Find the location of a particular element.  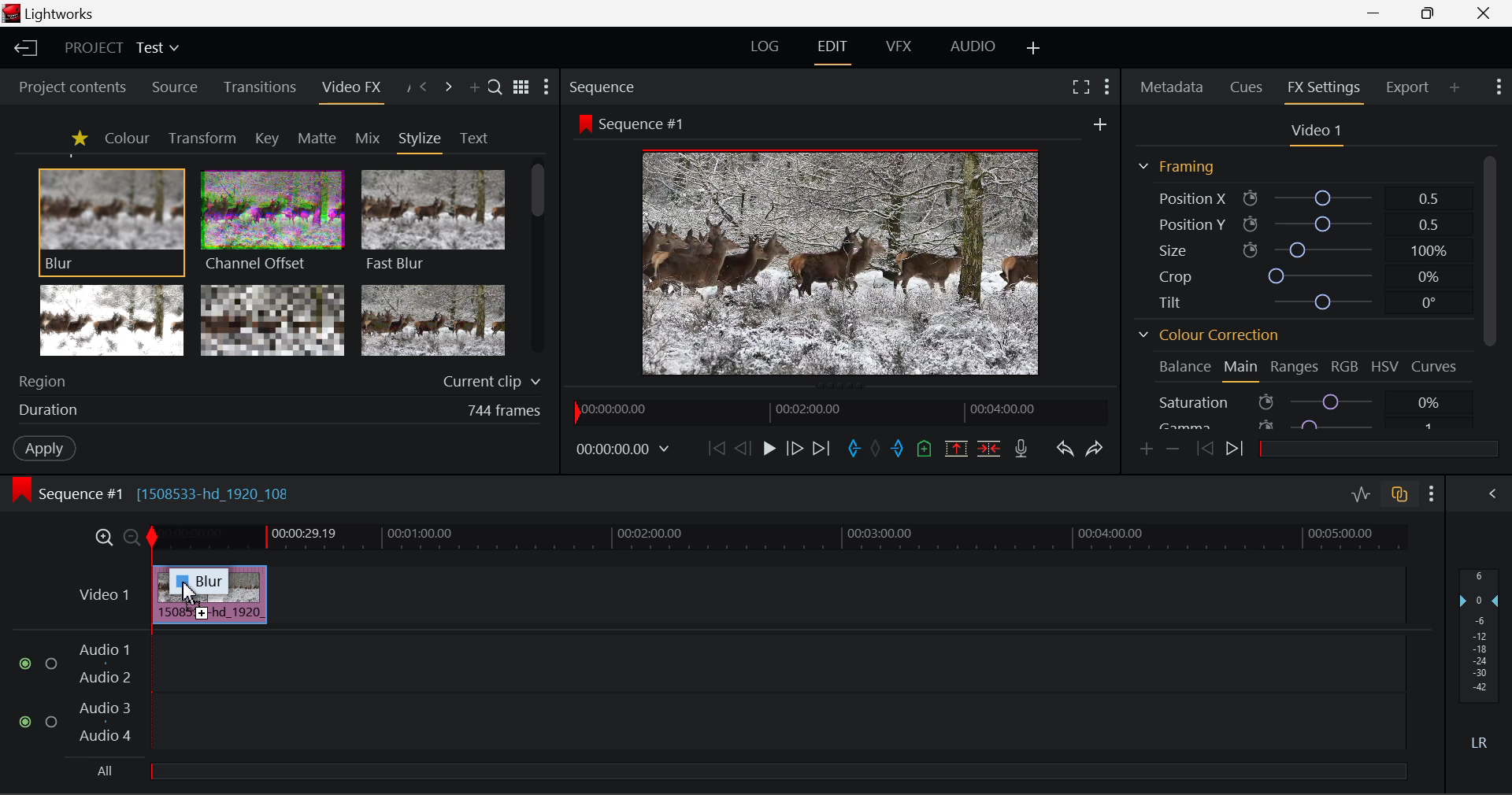

Video 1 Settings is located at coordinates (1317, 132).